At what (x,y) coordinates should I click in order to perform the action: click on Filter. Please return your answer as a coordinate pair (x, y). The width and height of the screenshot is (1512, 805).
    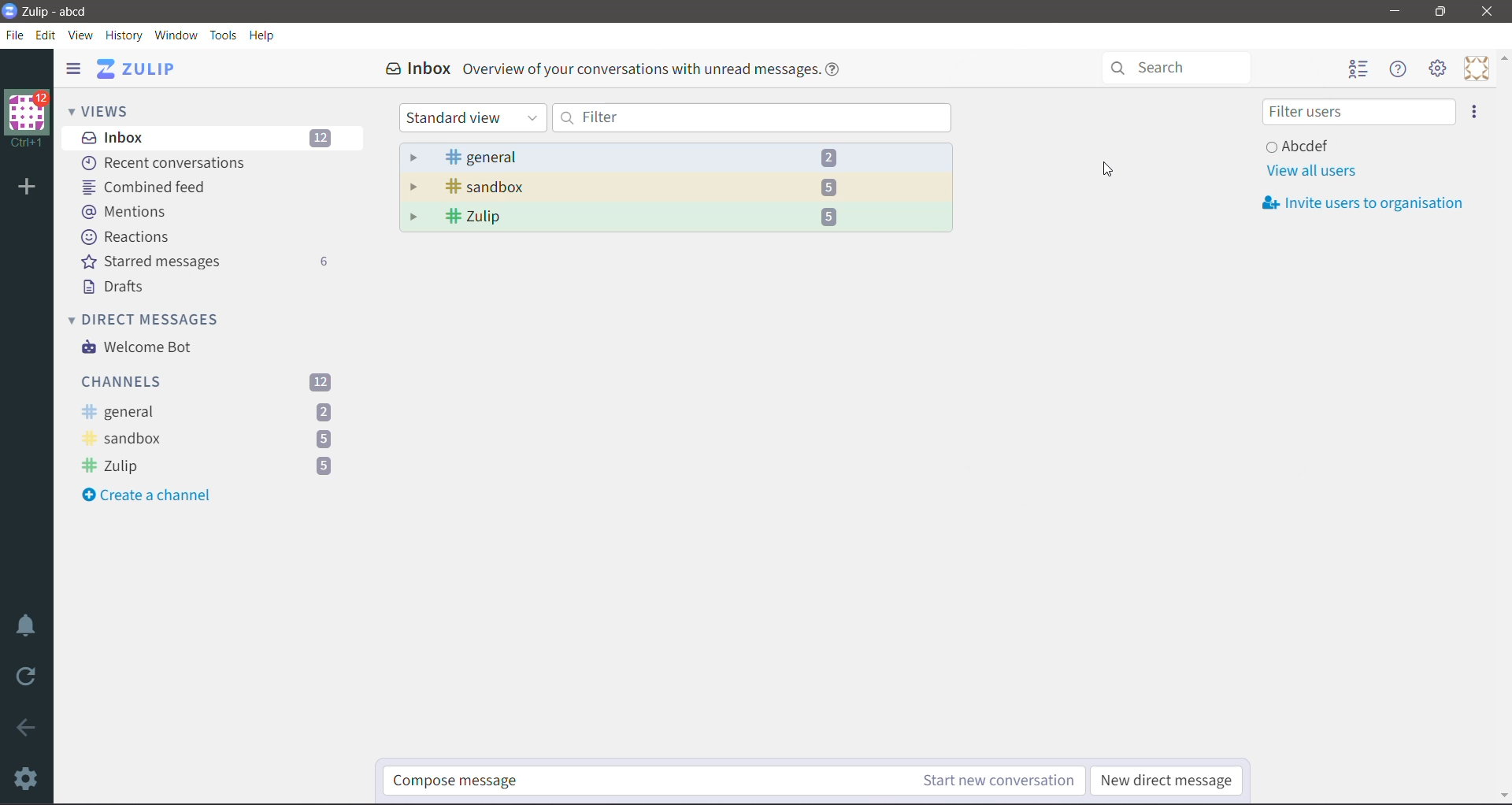
    Looking at the image, I should click on (754, 117).